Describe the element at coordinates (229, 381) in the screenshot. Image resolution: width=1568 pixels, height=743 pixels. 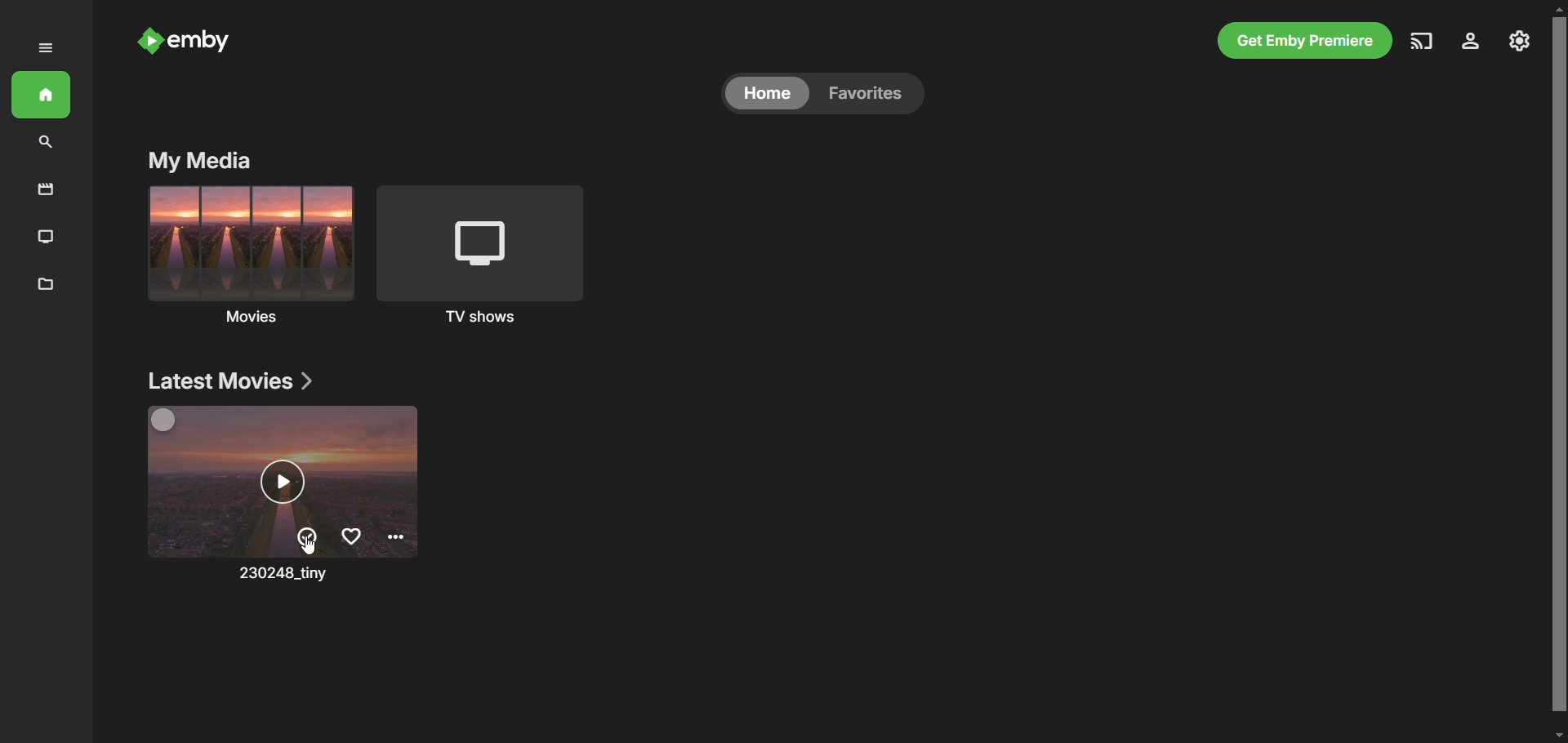
I see `latest movies` at that location.